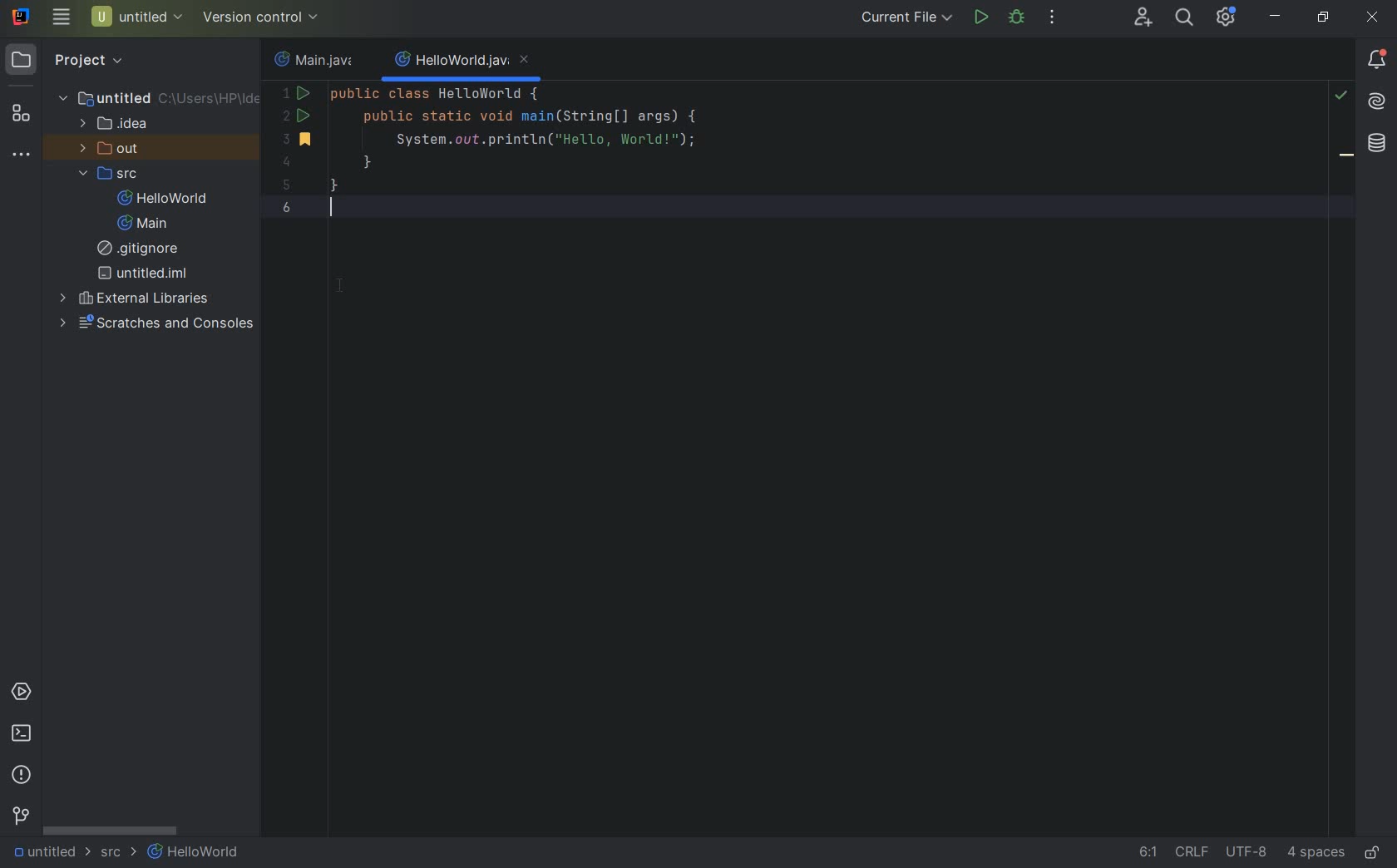 This screenshot has width=1397, height=868. I want to click on helloworld, so click(162, 200).